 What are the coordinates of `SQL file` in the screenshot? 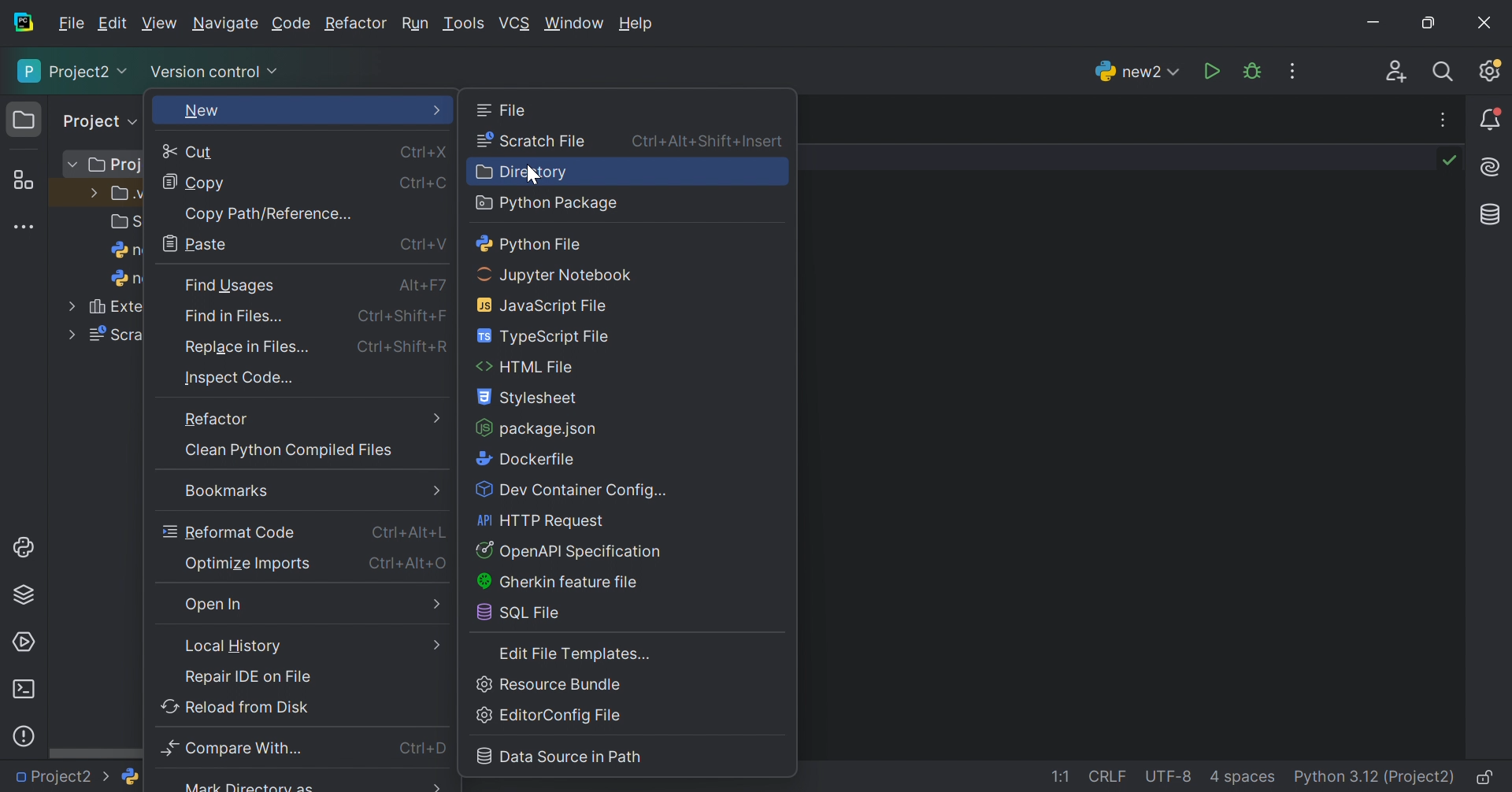 It's located at (518, 614).